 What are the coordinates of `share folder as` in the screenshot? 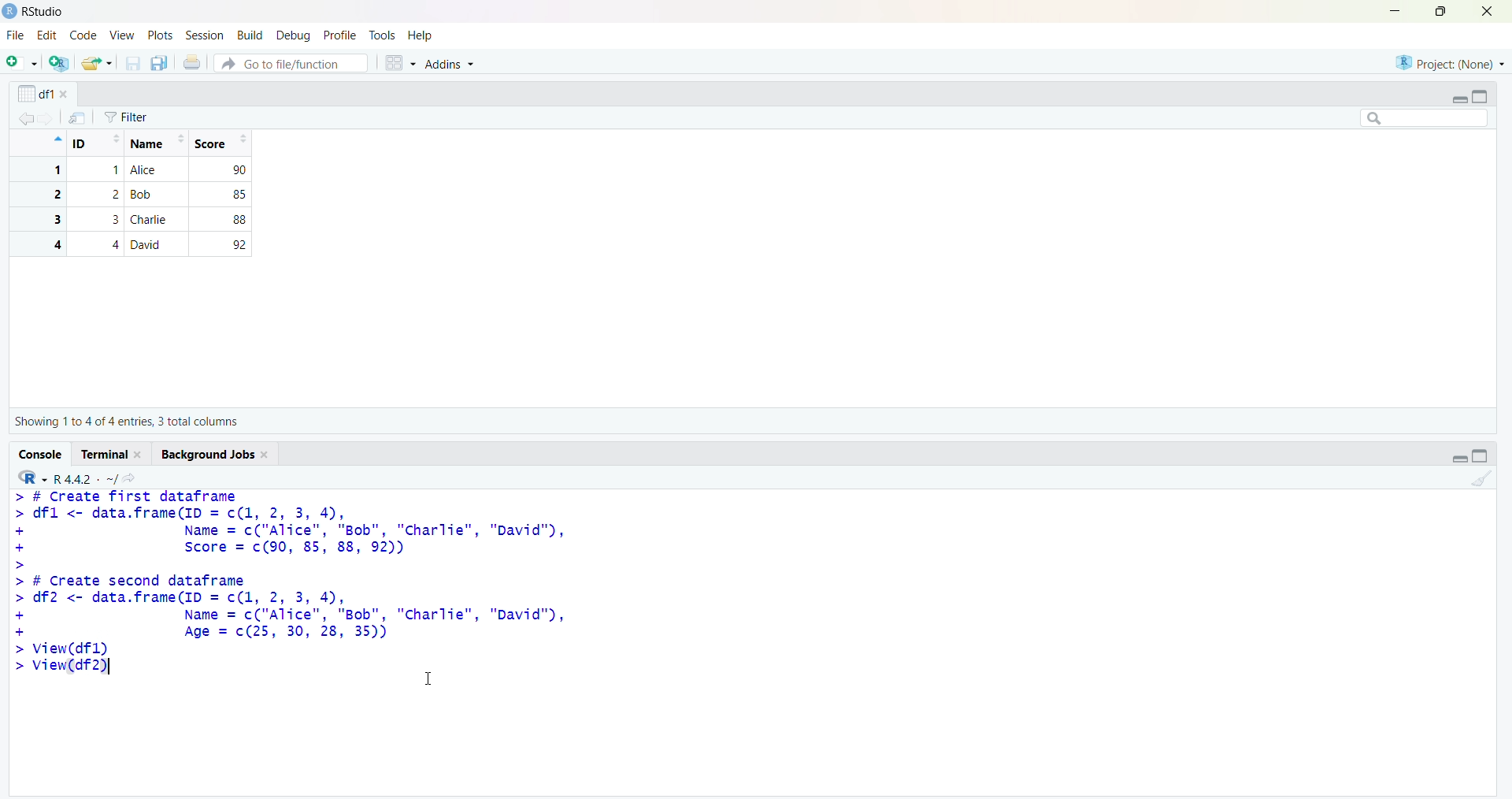 It's located at (98, 63).